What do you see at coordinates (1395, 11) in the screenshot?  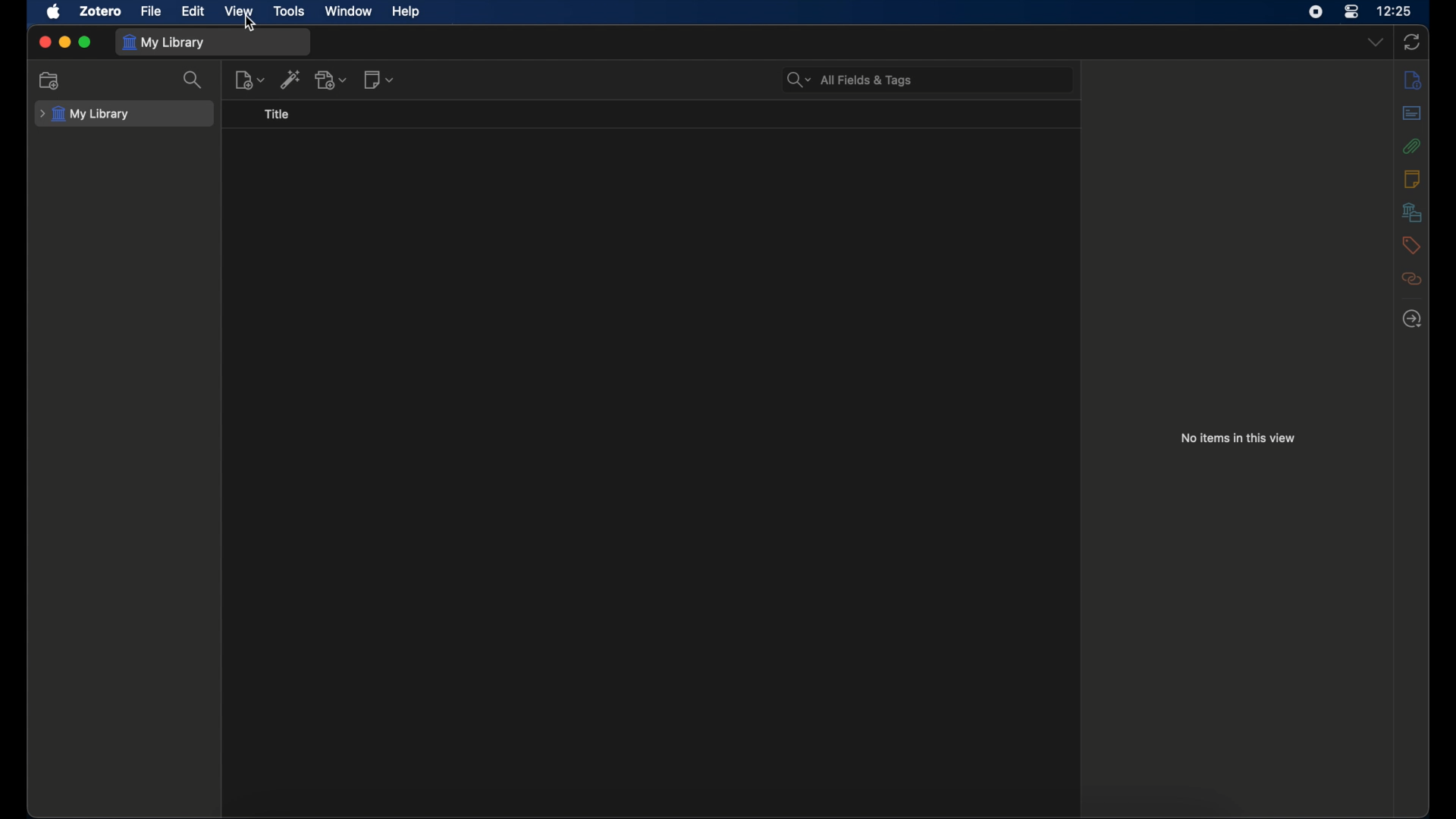 I see `time` at bounding box center [1395, 11].